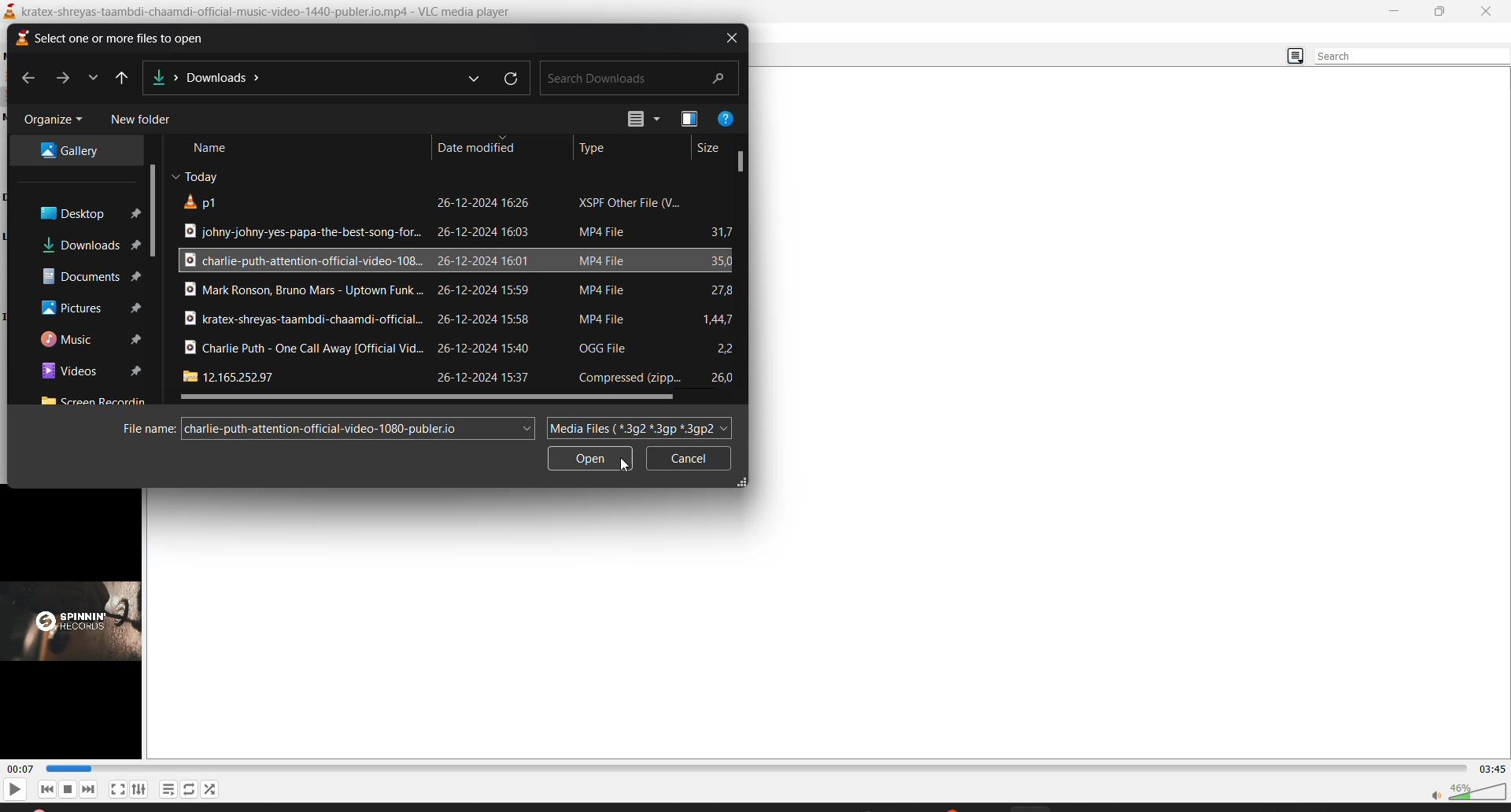  I want to click on up to desktop, so click(125, 77).